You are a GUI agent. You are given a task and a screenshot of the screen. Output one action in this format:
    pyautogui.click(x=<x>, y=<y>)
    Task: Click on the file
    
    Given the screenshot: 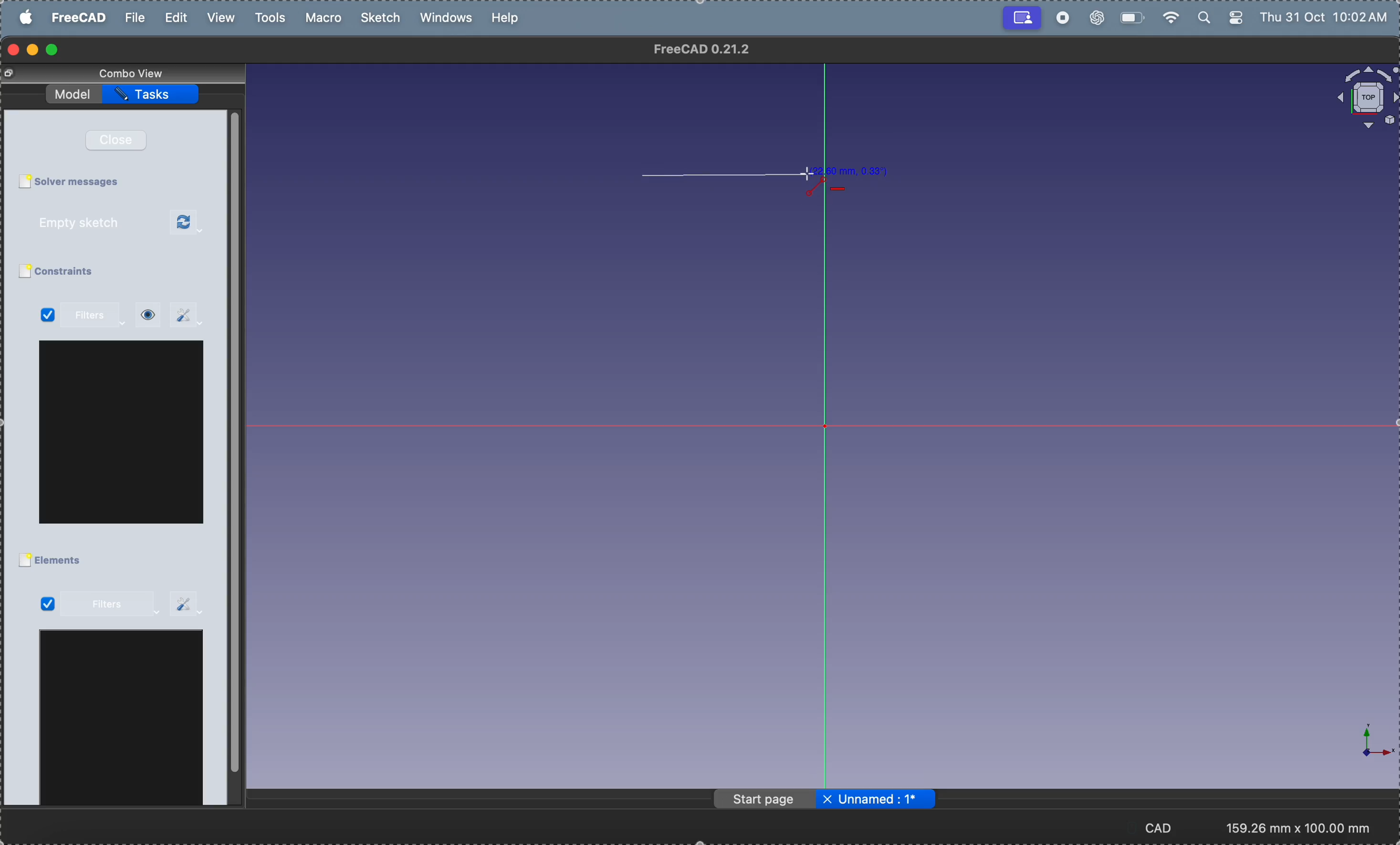 What is the action you would take?
    pyautogui.click(x=135, y=18)
    